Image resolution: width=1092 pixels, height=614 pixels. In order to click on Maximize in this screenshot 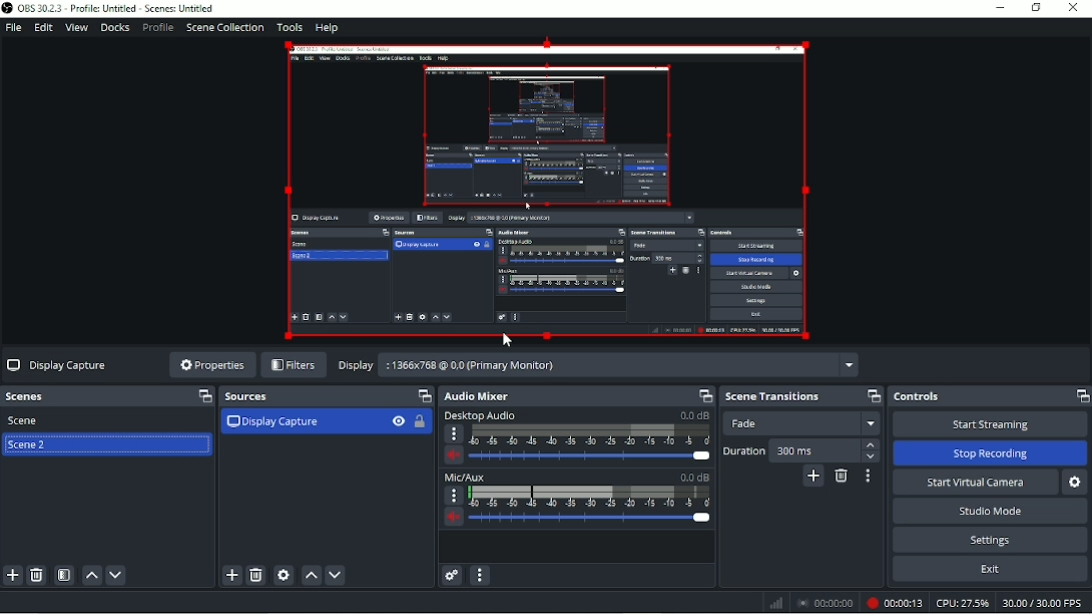, I will do `click(422, 396)`.